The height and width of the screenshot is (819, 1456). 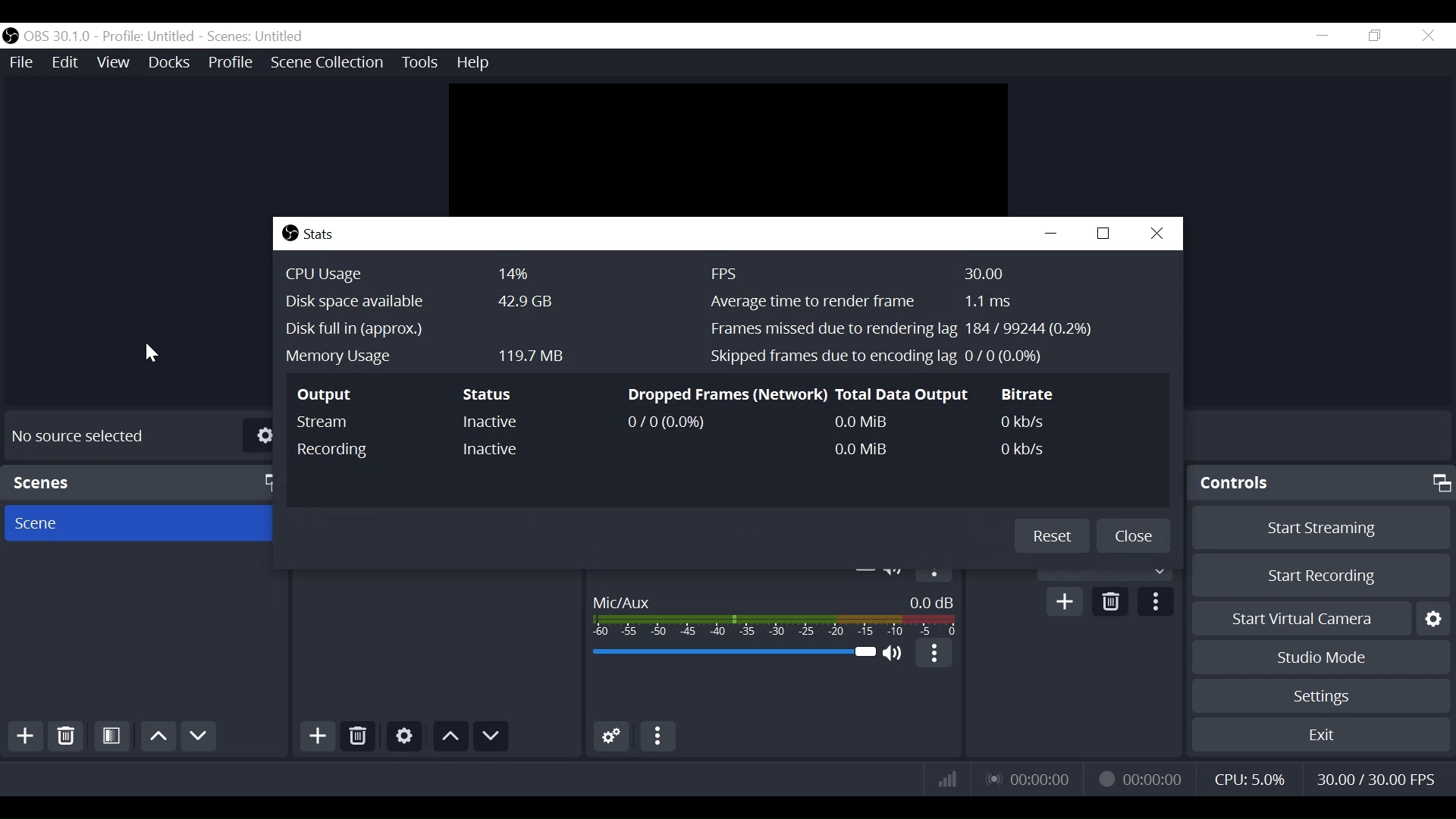 What do you see at coordinates (907, 395) in the screenshot?
I see `` at bounding box center [907, 395].